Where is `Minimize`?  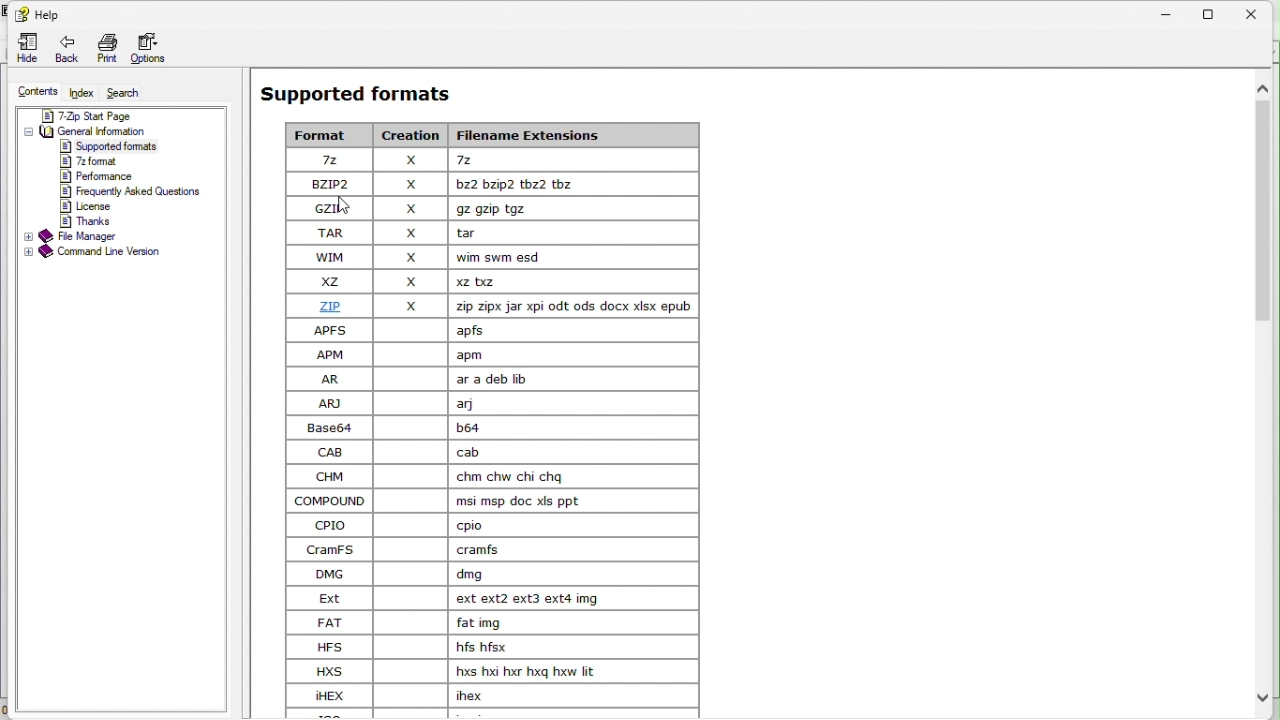
Minimize is located at coordinates (1167, 13).